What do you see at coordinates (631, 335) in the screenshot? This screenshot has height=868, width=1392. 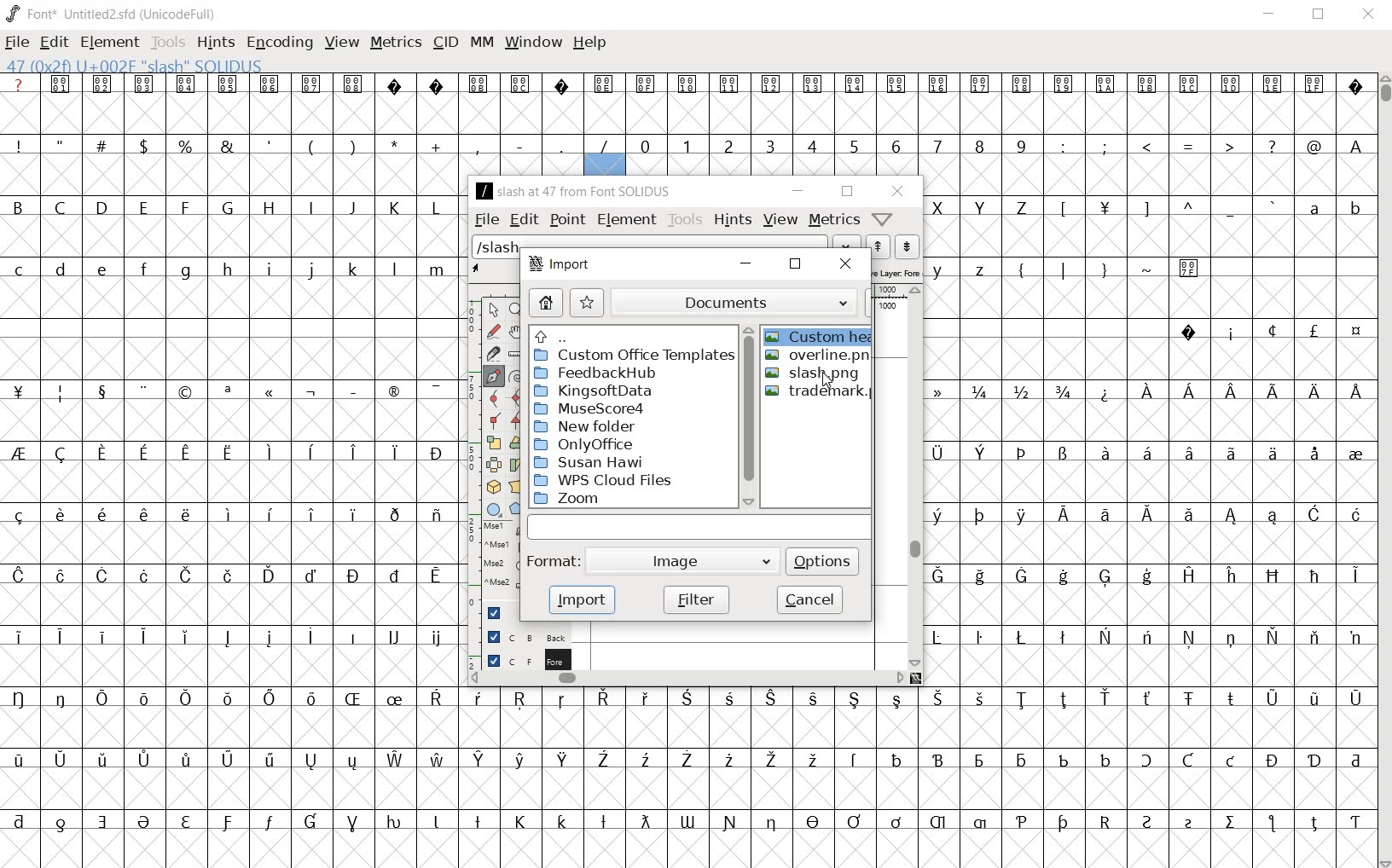 I see `up directories` at bounding box center [631, 335].